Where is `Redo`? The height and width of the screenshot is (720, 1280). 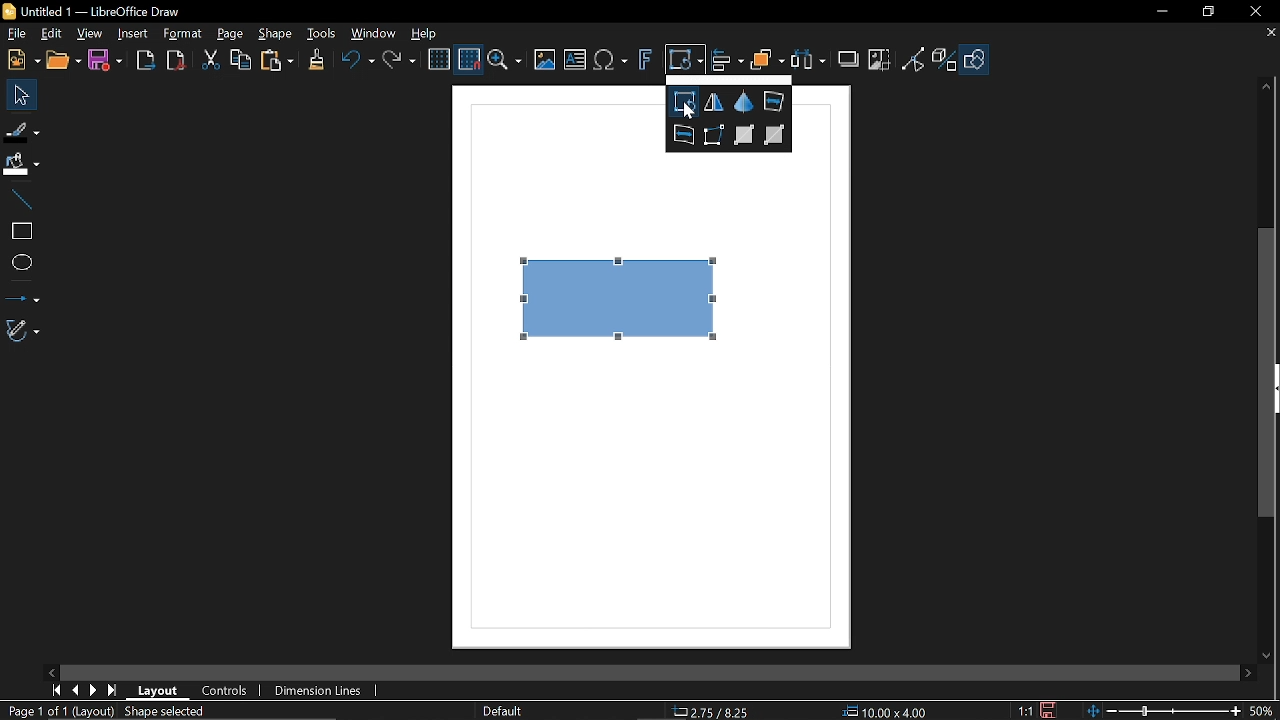 Redo is located at coordinates (398, 62).